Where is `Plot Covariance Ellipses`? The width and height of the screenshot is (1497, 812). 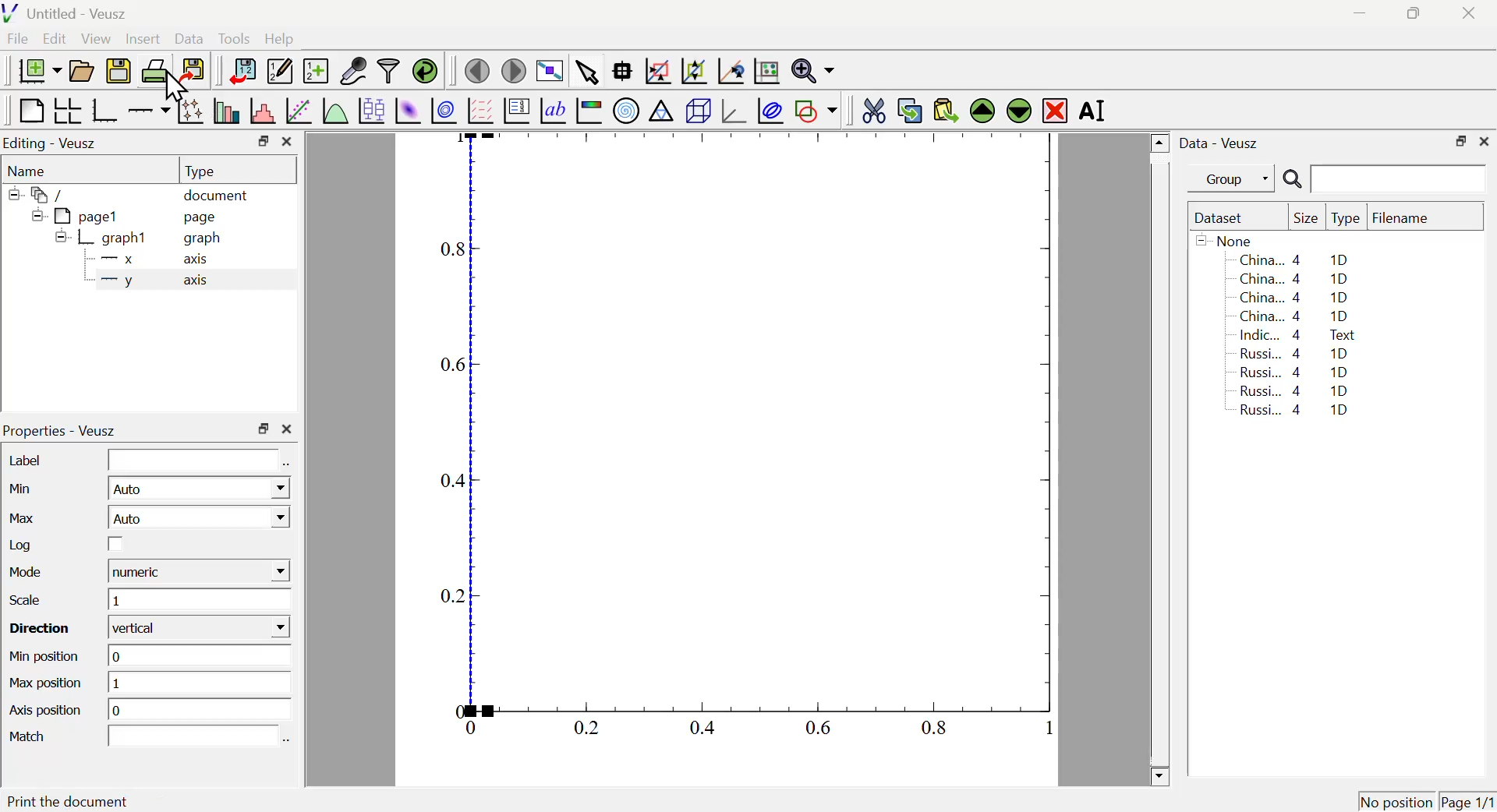
Plot Covariance Ellipses is located at coordinates (770, 112).